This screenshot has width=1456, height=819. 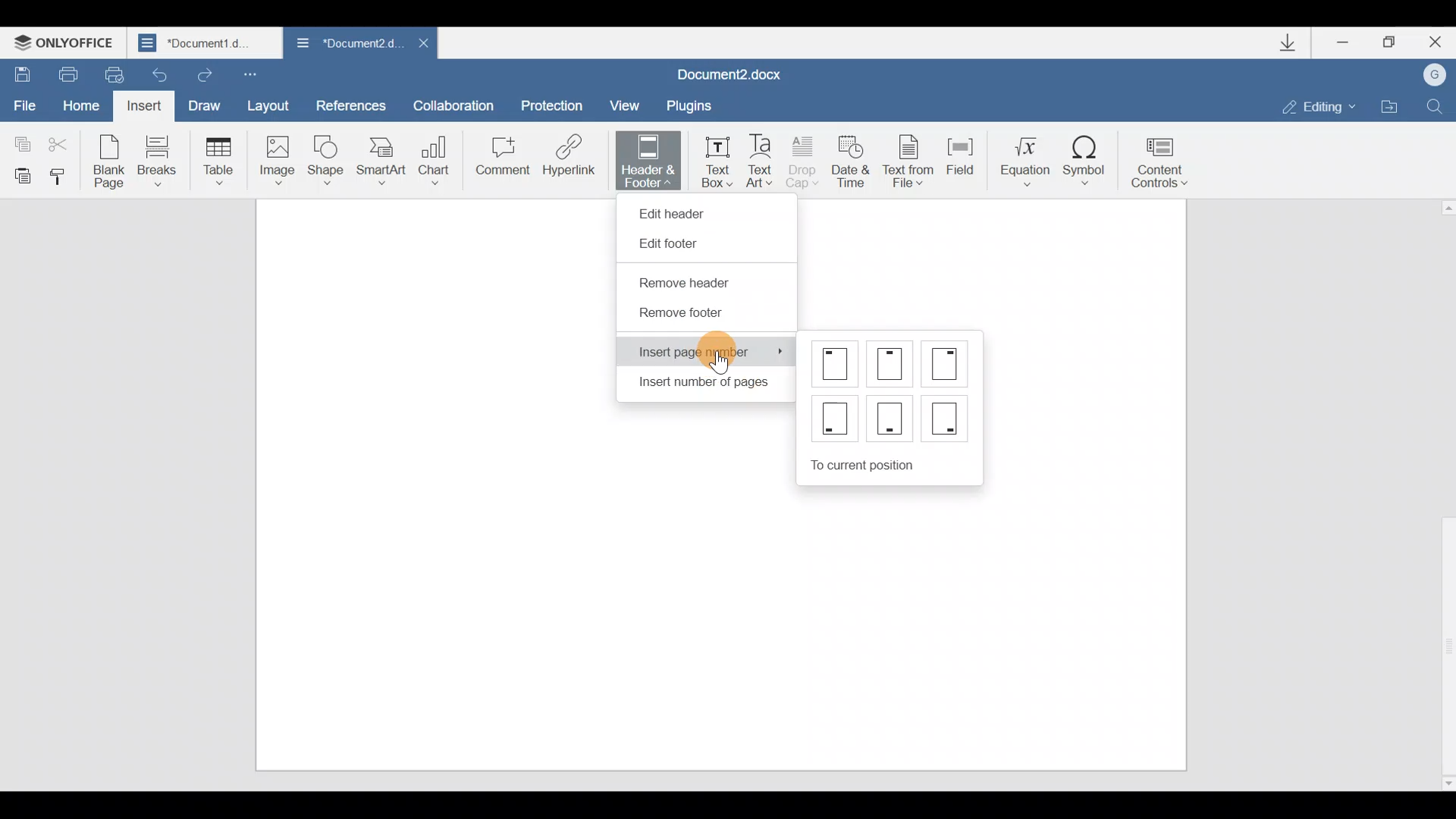 What do you see at coordinates (155, 161) in the screenshot?
I see `Breaks` at bounding box center [155, 161].